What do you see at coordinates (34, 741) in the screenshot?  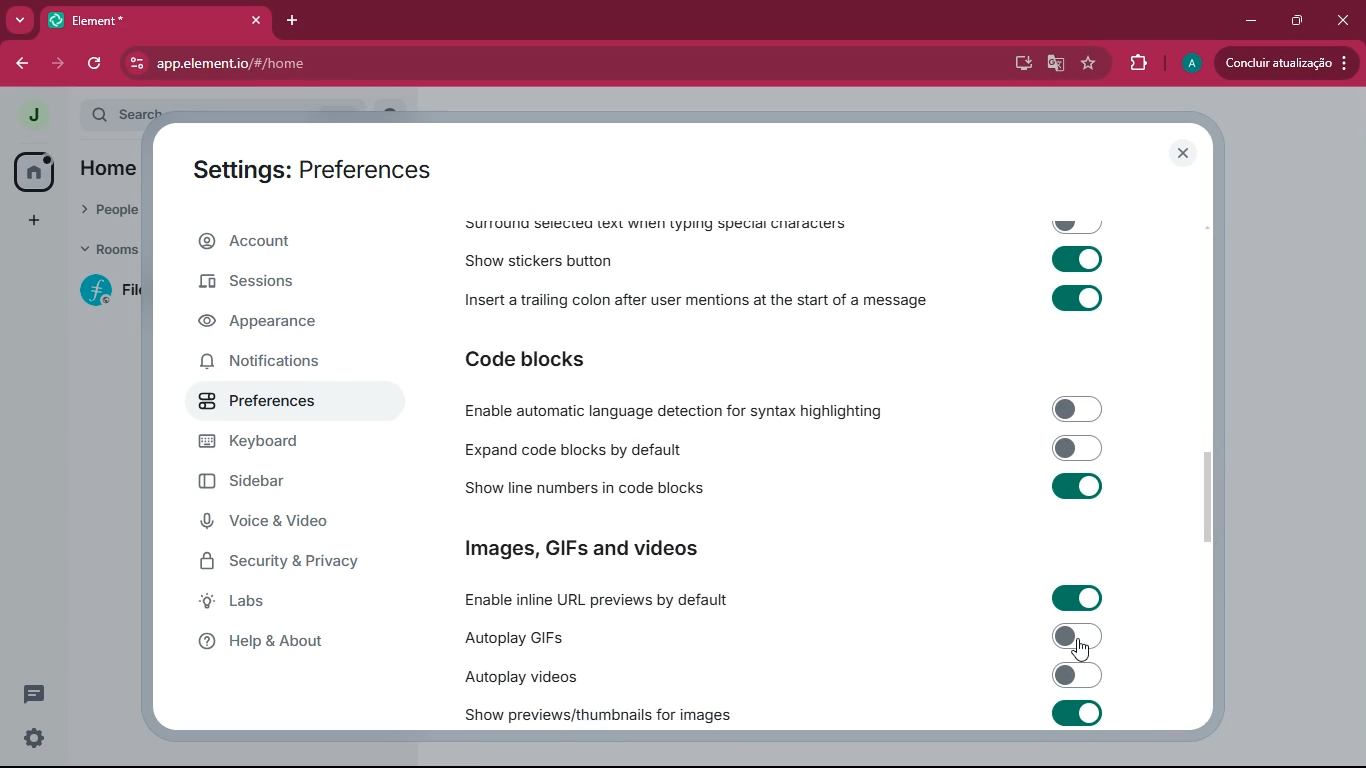 I see `settings ` at bounding box center [34, 741].